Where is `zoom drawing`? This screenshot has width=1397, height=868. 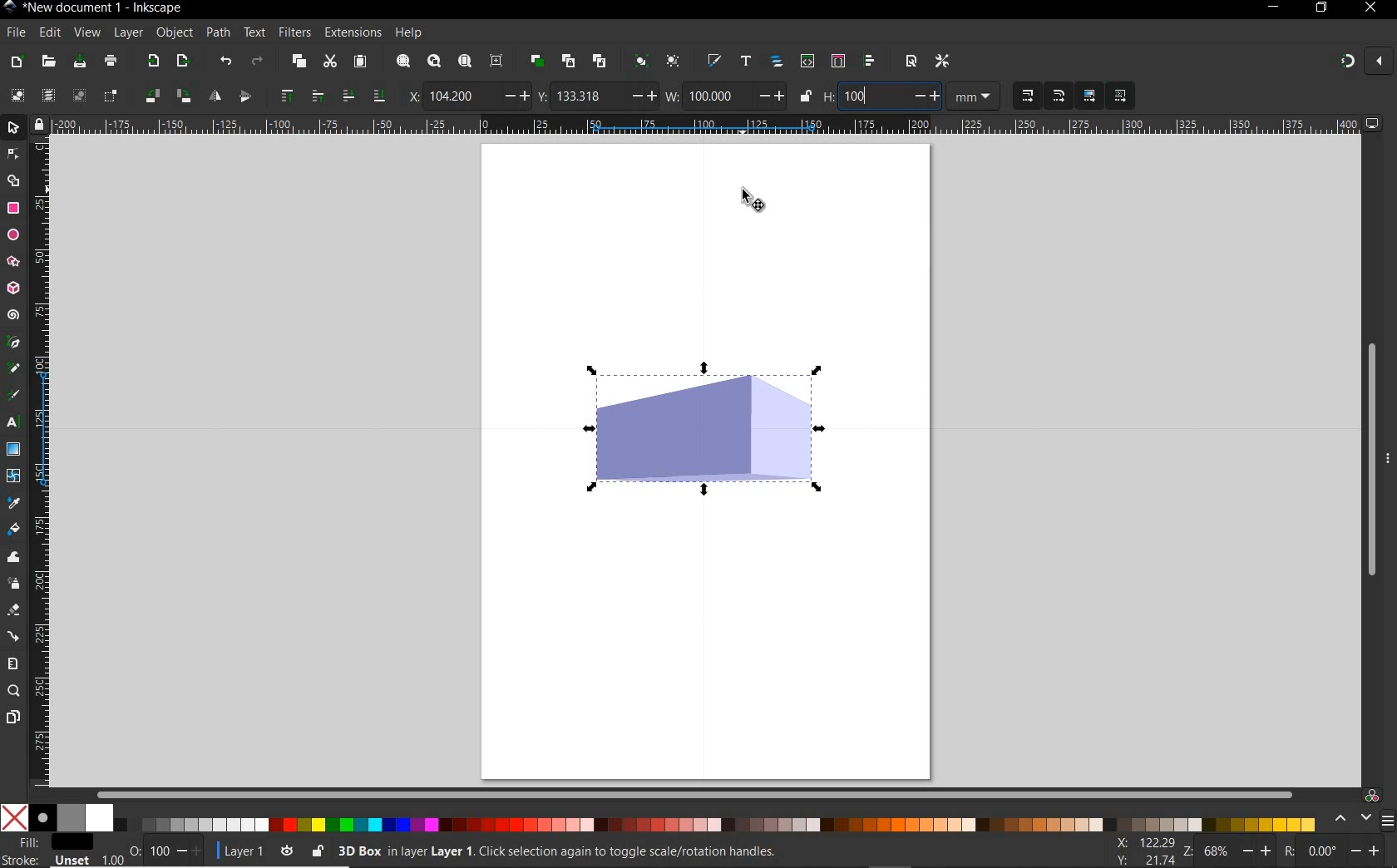 zoom drawing is located at coordinates (434, 60).